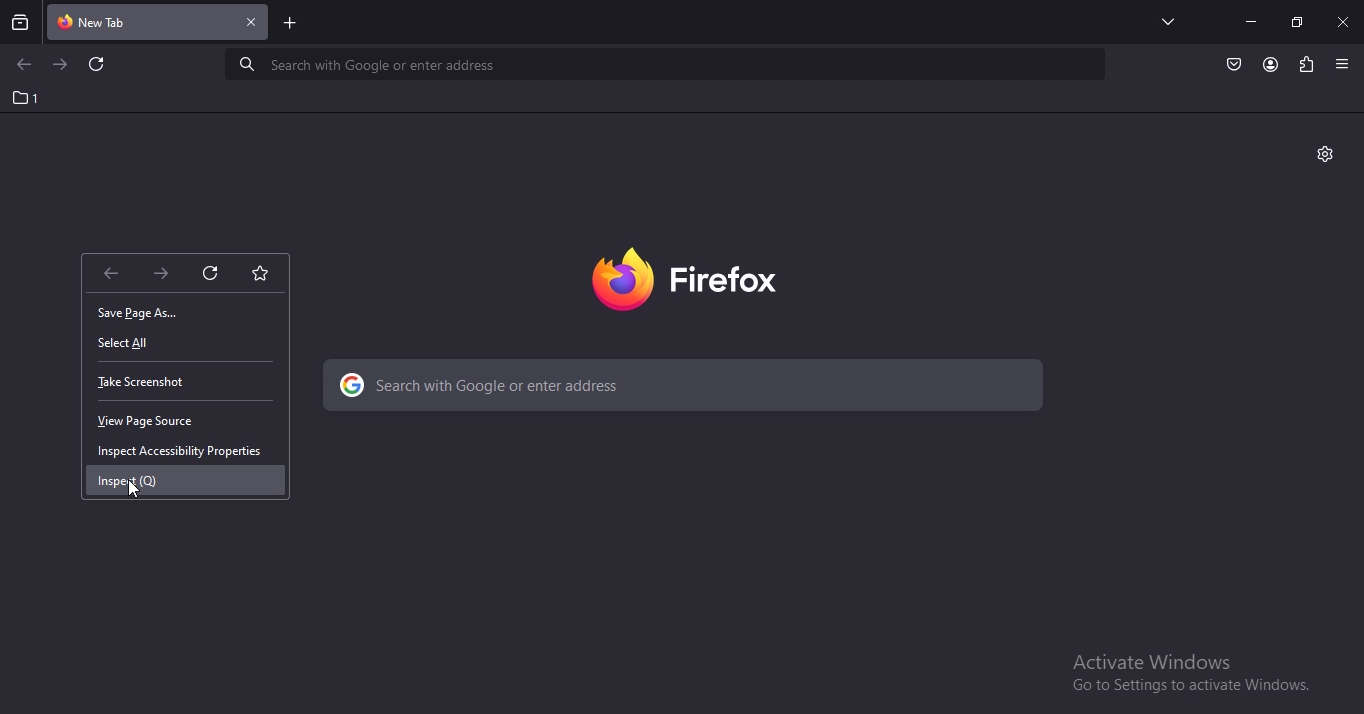 The width and height of the screenshot is (1364, 714). What do you see at coordinates (21, 67) in the screenshot?
I see `go to previous page` at bounding box center [21, 67].